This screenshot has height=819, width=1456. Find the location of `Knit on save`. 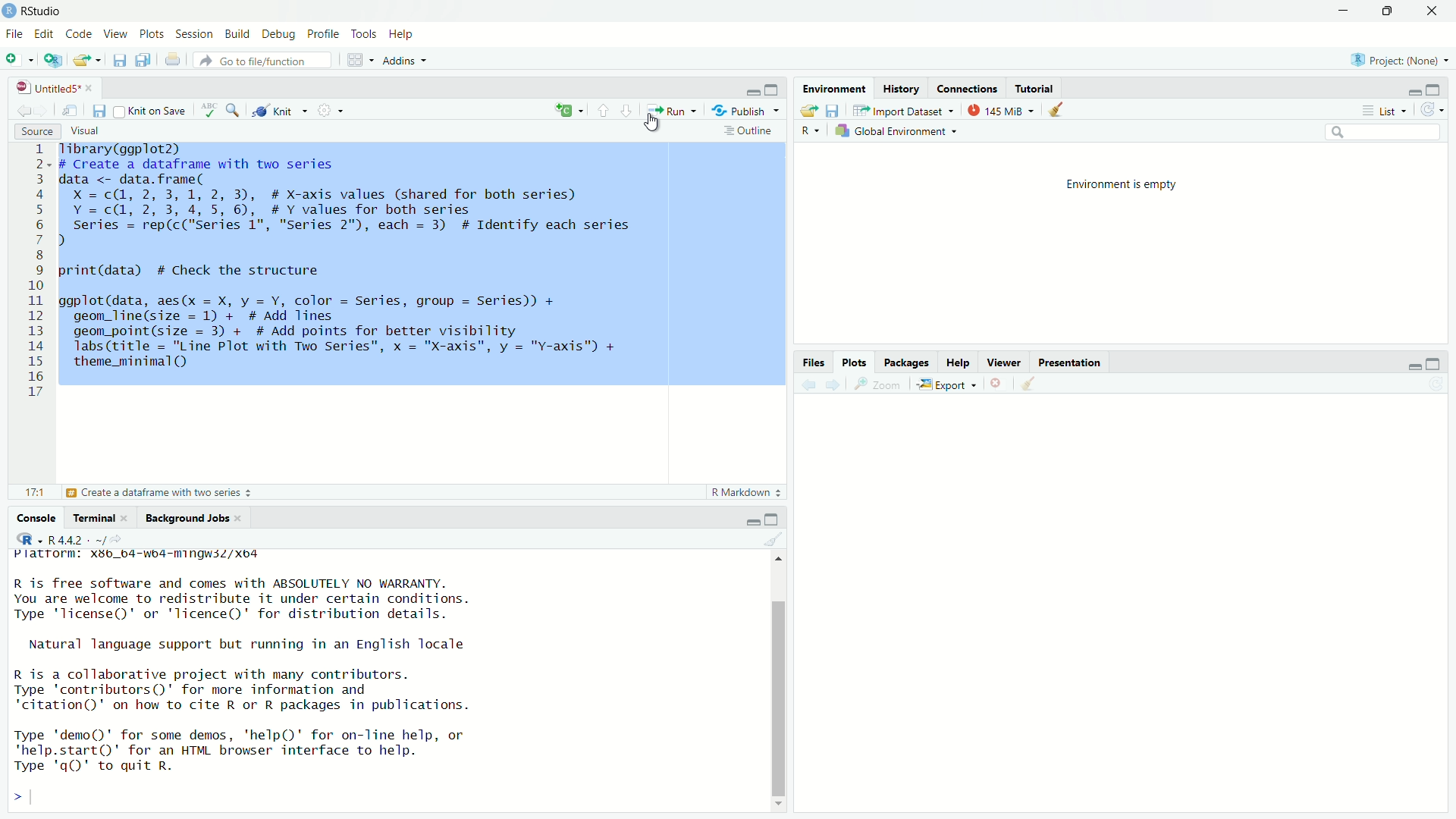

Knit on save is located at coordinates (152, 112).